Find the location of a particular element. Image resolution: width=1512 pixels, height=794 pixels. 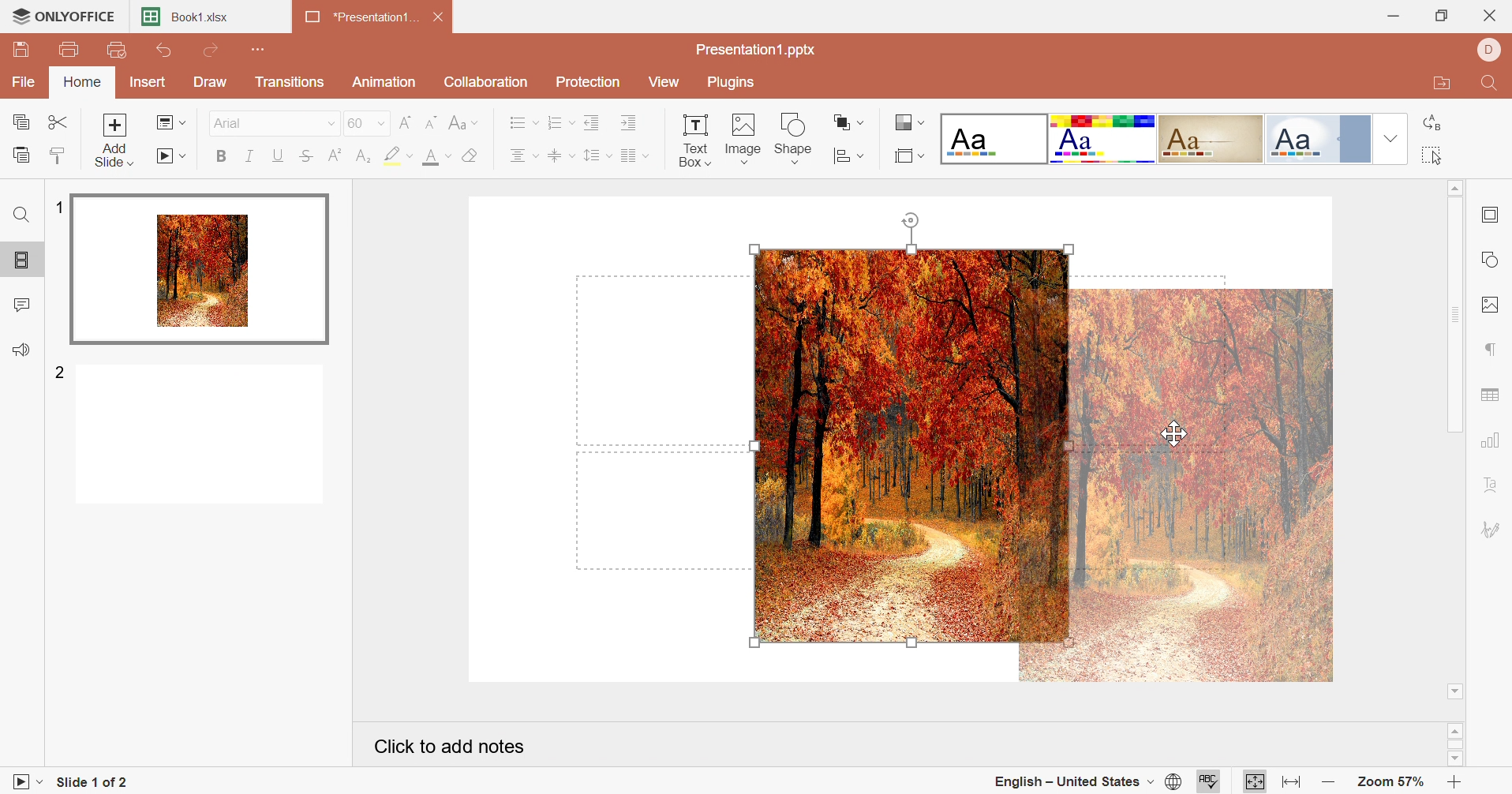

*Presentation1... is located at coordinates (362, 18).